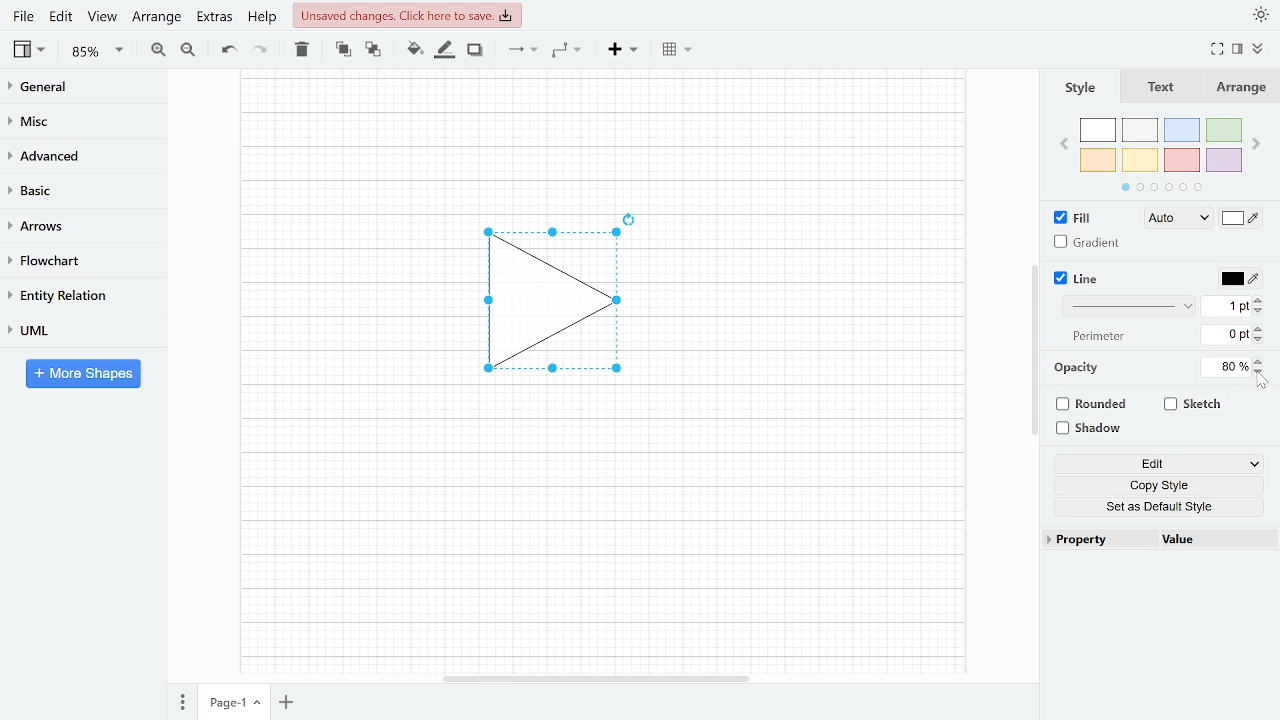 This screenshot has width=1280, height=720. Describe the element at coordinates (223, 703) in the screenshot. I see `Current page` at that location.